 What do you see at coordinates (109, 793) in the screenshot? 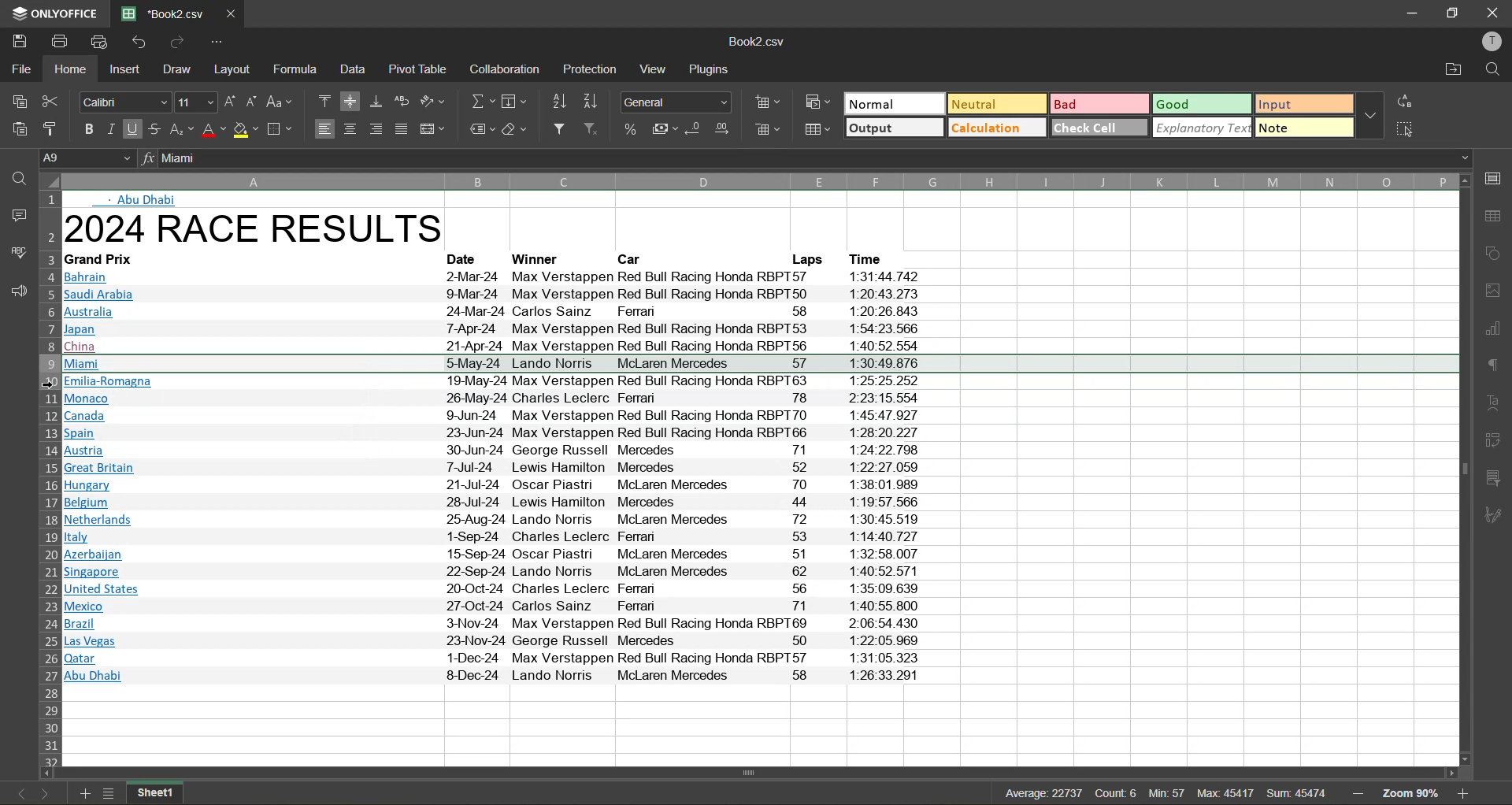
I see `list of sheets` at bounding box center [109, 793].